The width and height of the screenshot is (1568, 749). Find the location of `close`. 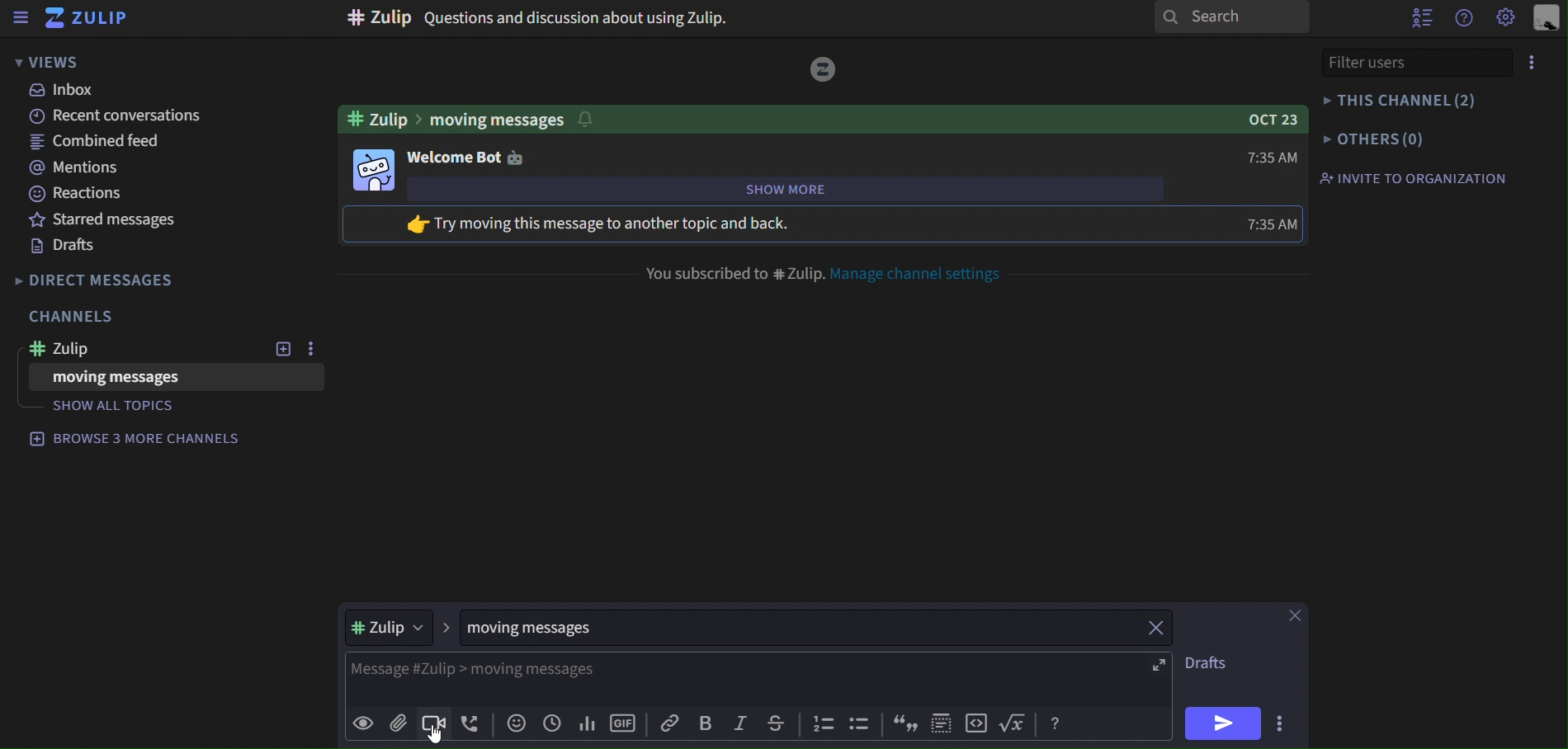

close is located at coordinates (1298, 615).